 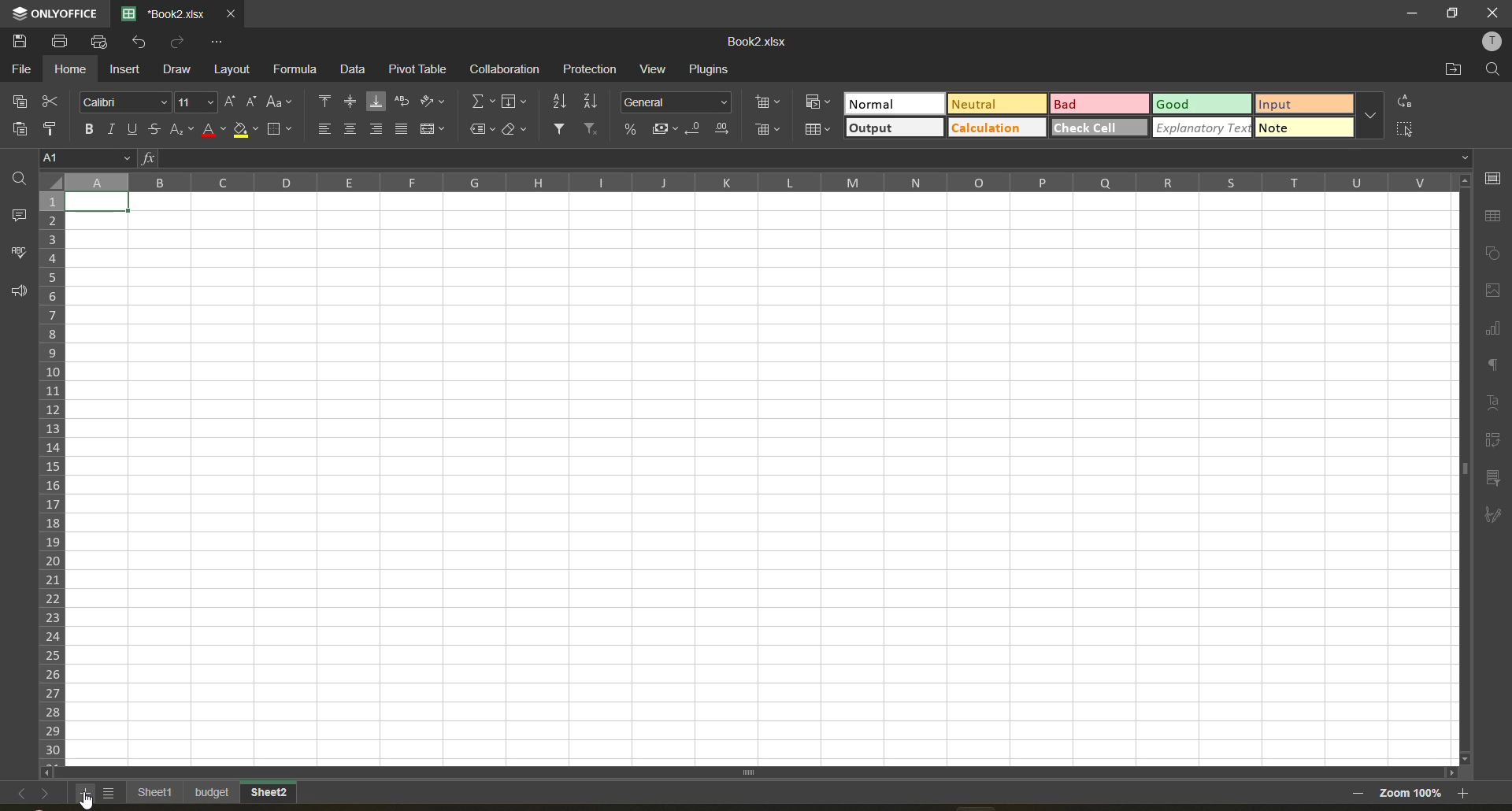 I want to click on home, so click(x=71, y=69).